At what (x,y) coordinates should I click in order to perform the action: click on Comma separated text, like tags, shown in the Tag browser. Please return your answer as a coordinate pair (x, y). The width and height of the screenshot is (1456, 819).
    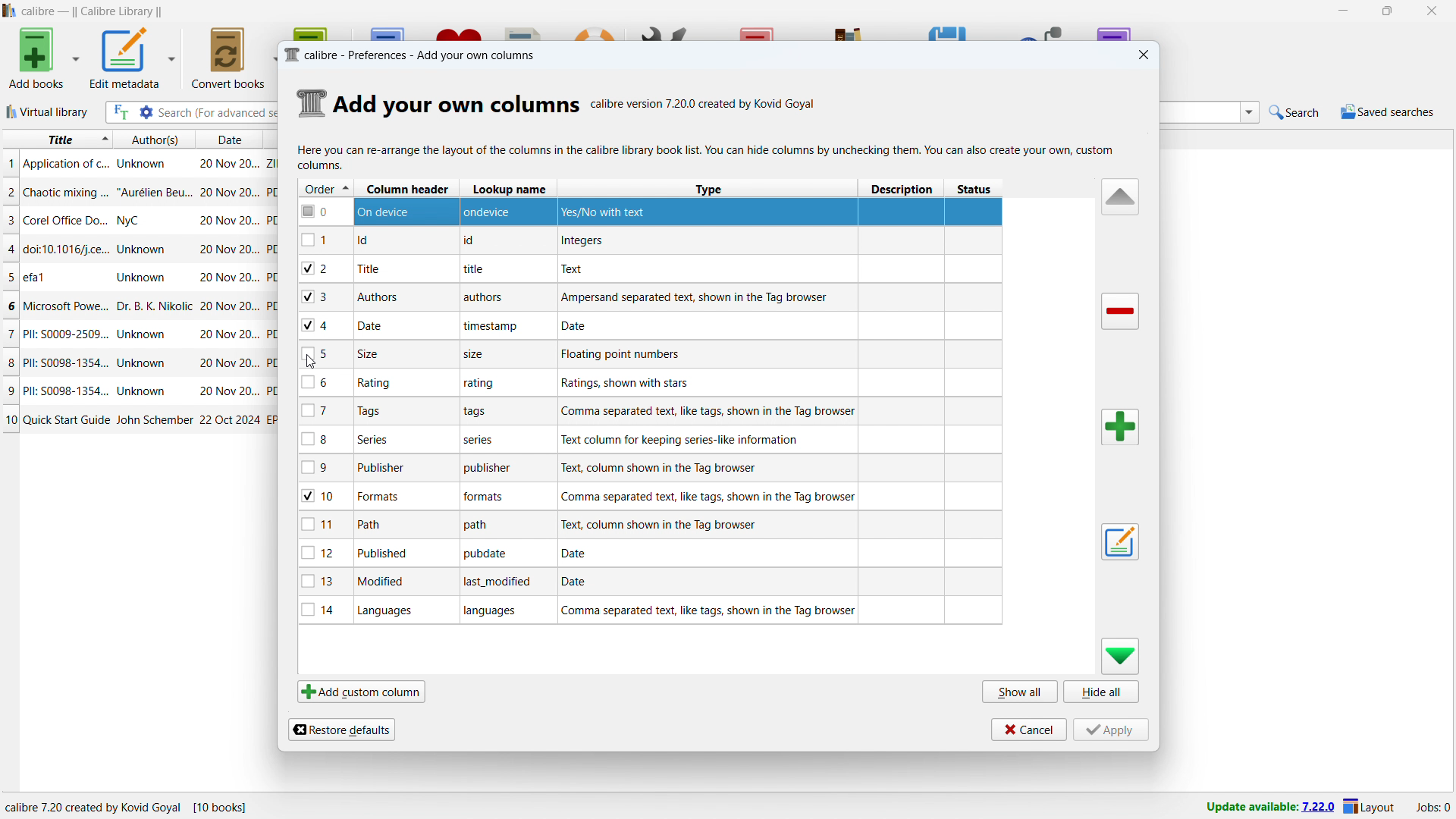
    Looking at the image, I should click on (711, 411).